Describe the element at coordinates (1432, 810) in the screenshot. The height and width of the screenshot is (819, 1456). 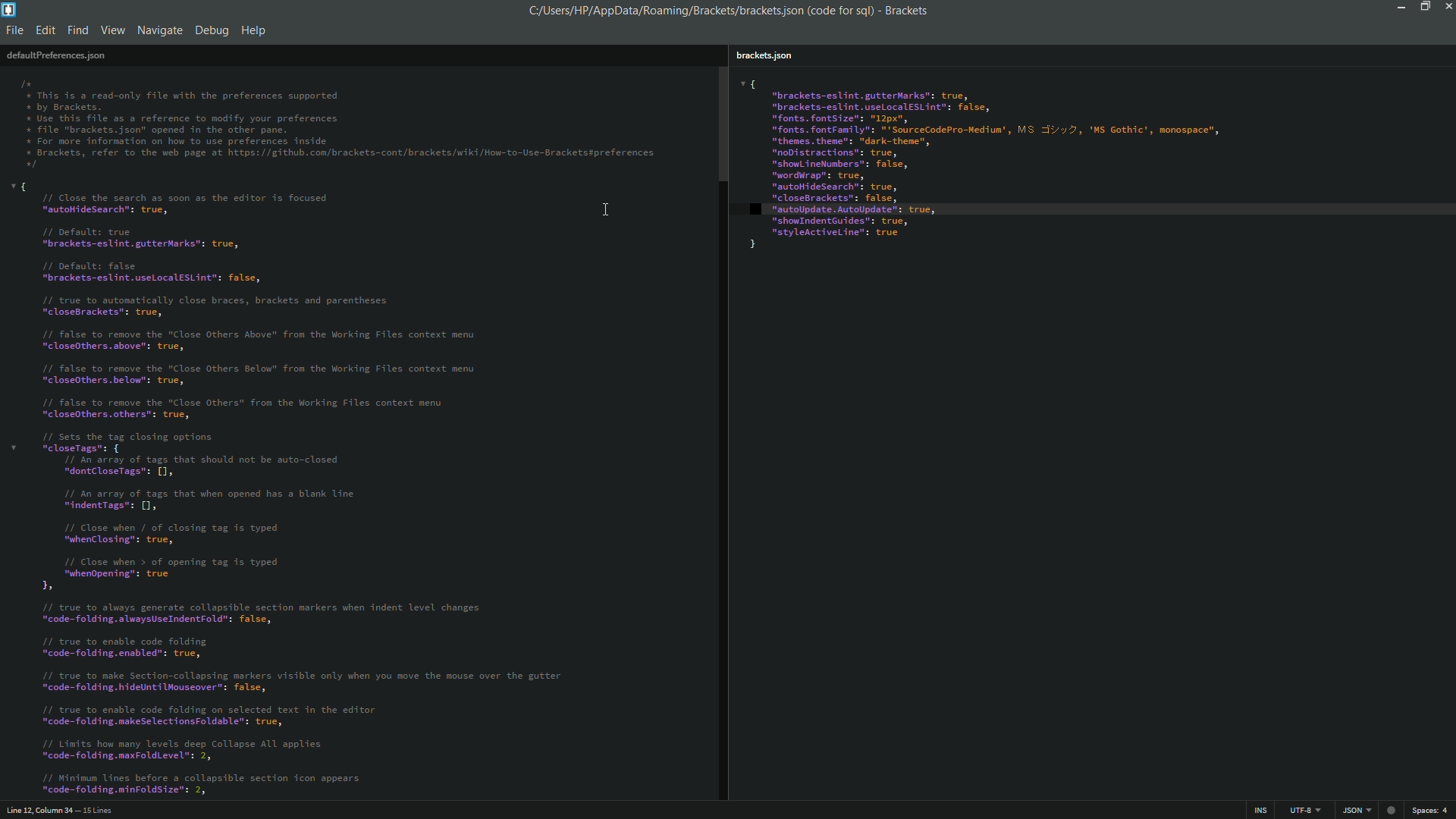
I see `spaces: 4` at that location.